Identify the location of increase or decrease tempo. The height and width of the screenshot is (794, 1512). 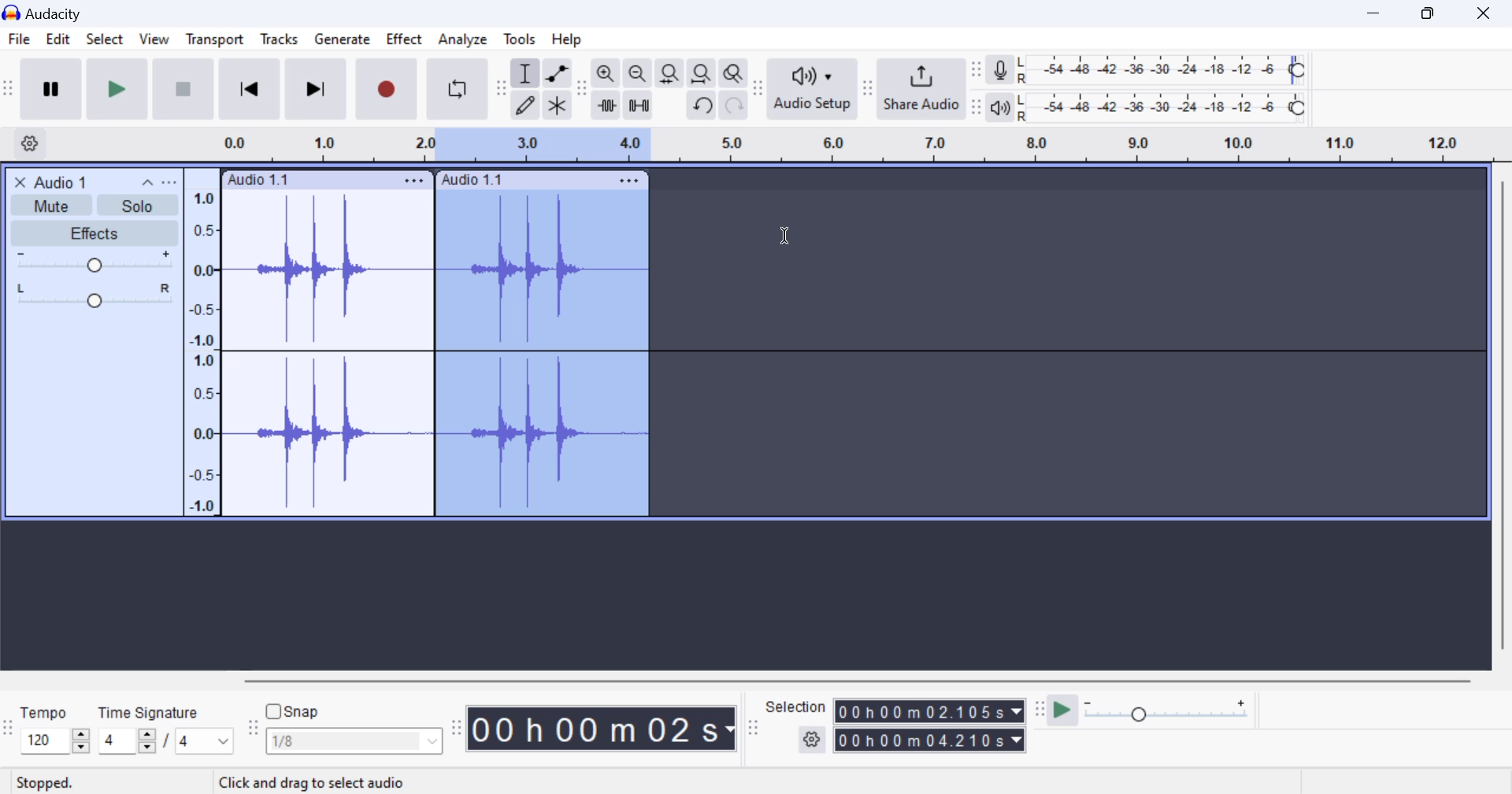
(54, 740).